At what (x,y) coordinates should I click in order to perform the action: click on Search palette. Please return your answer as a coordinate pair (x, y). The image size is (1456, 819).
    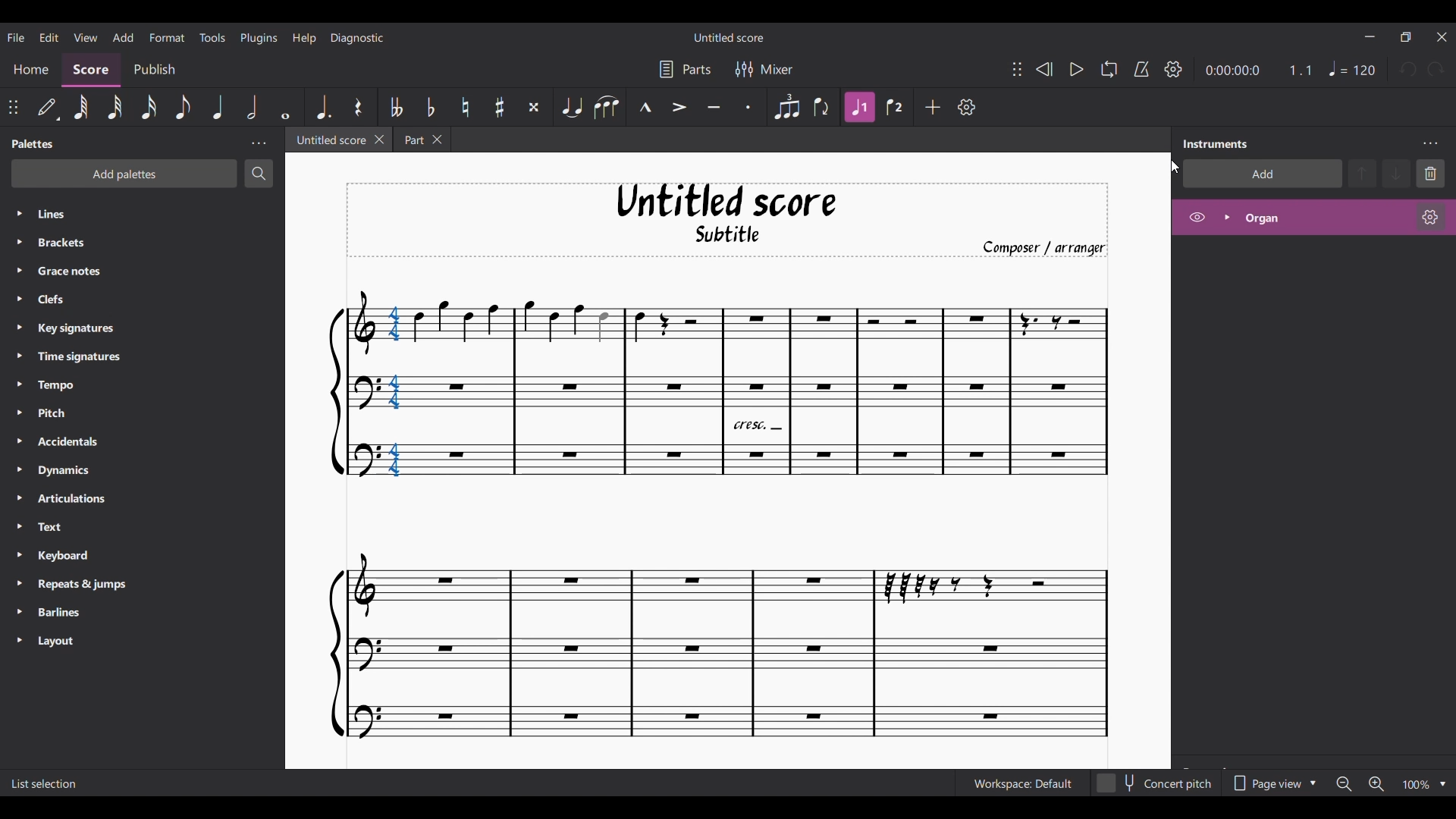
    Looking at the image, I should click on (259, 173).